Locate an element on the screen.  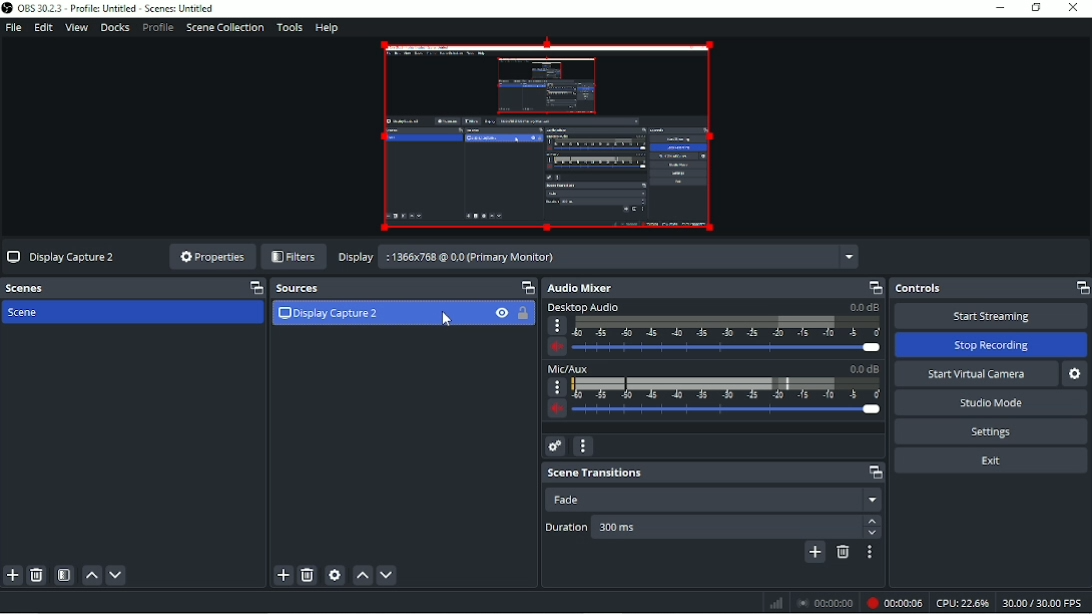
Controls is located at coordinates (990, 288).